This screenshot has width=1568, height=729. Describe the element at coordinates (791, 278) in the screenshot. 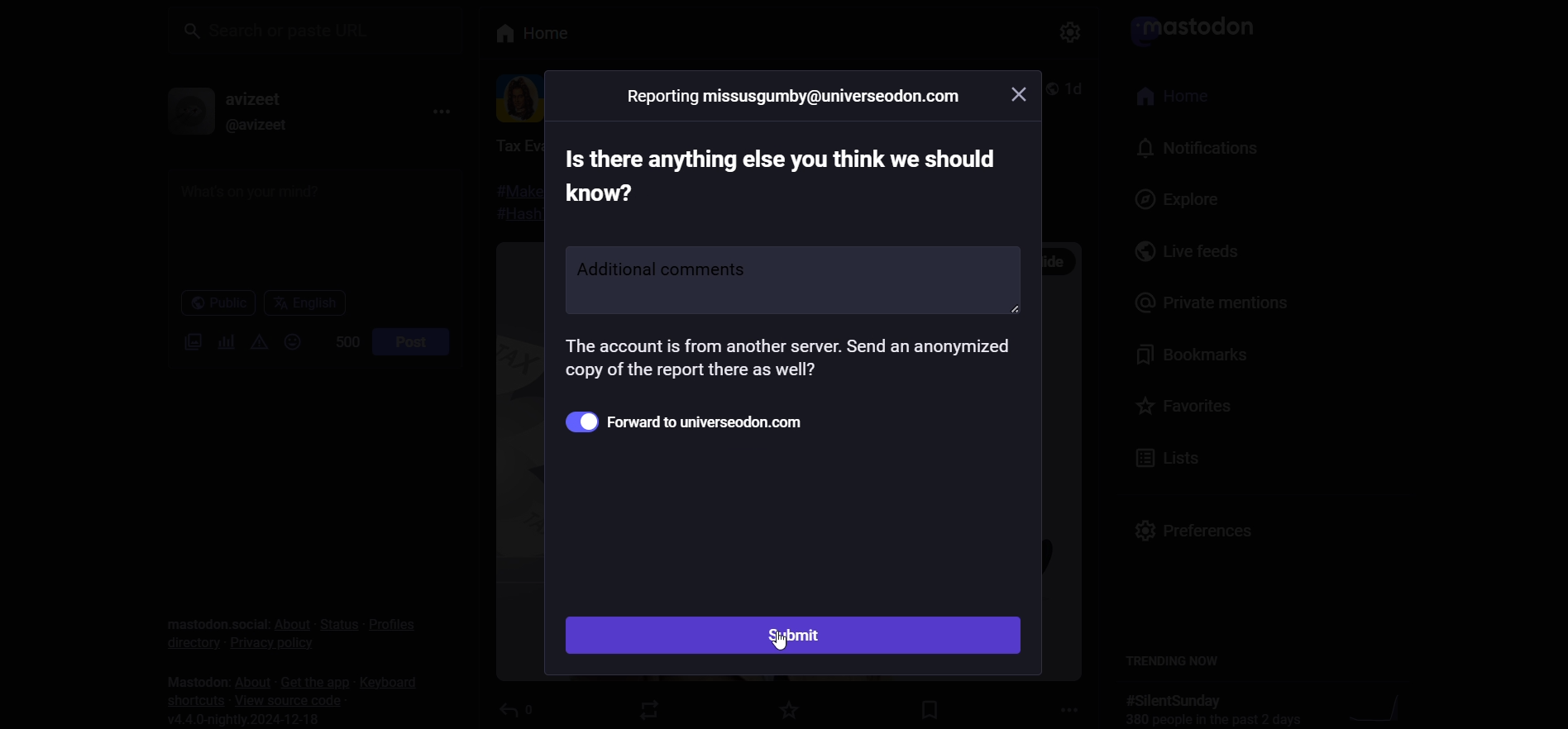

I see `comment` at that location.